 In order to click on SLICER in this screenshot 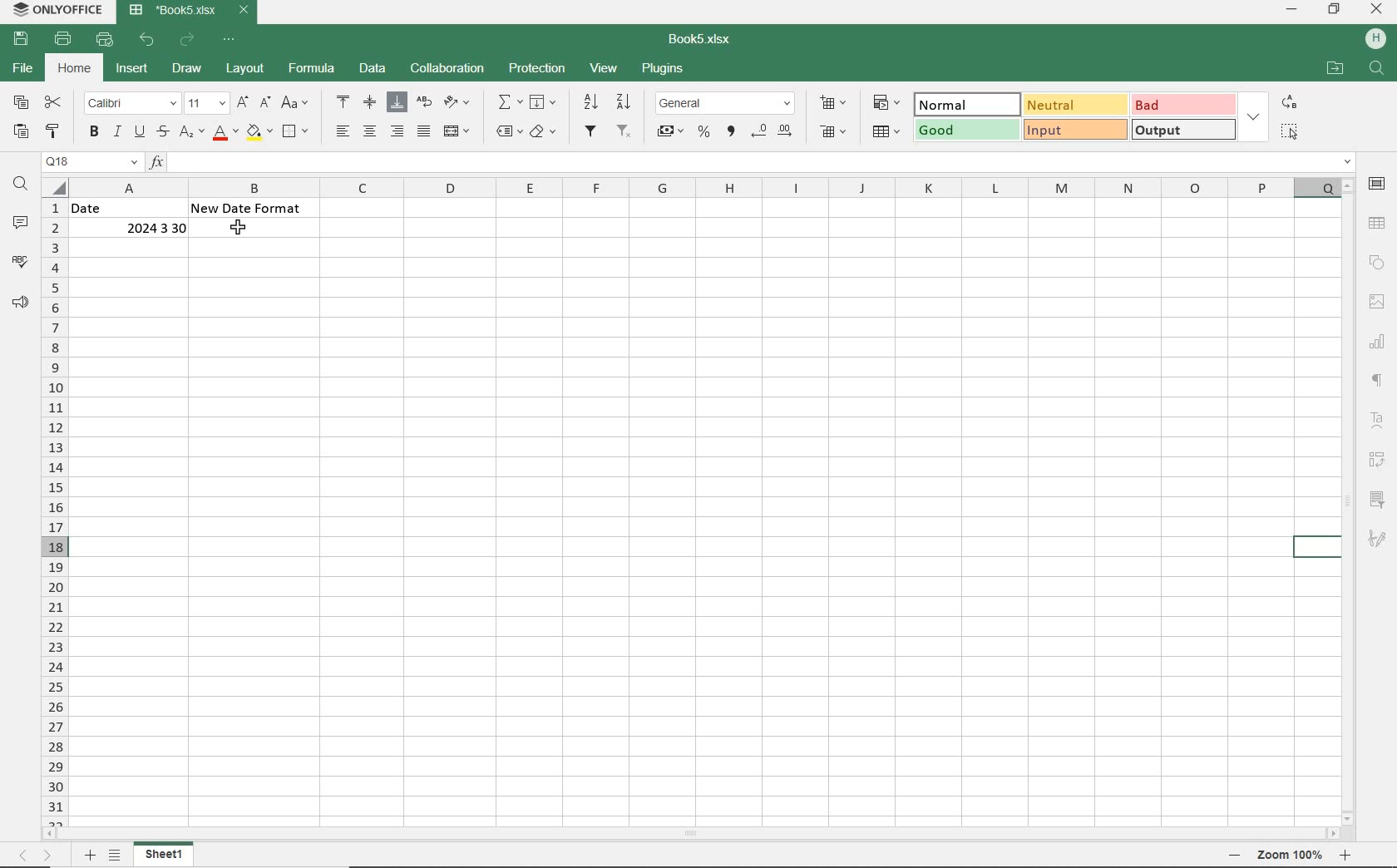, I will do `click(1380, 496)`.